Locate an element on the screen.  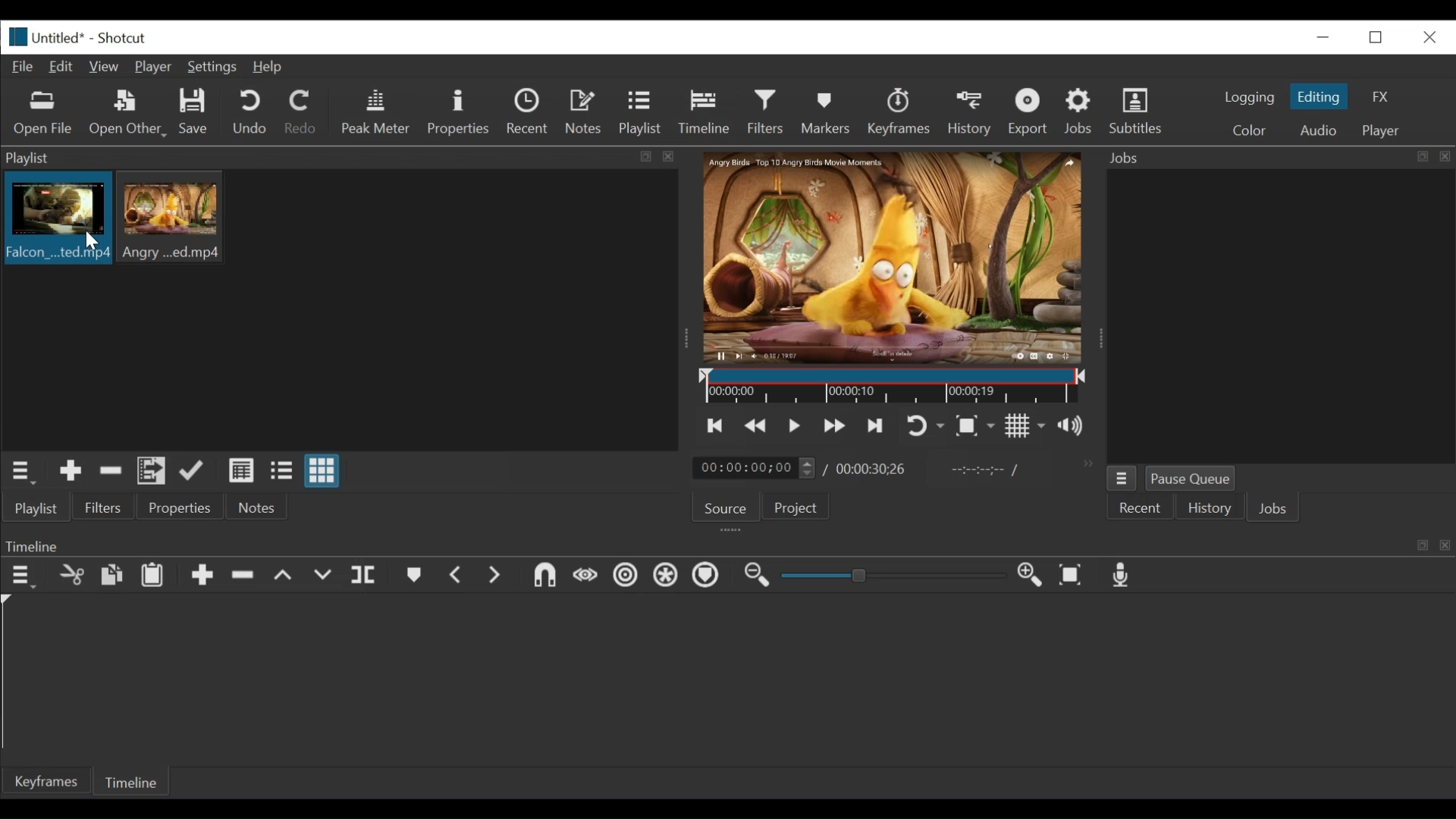
cut is located at coordinates (71, 576).